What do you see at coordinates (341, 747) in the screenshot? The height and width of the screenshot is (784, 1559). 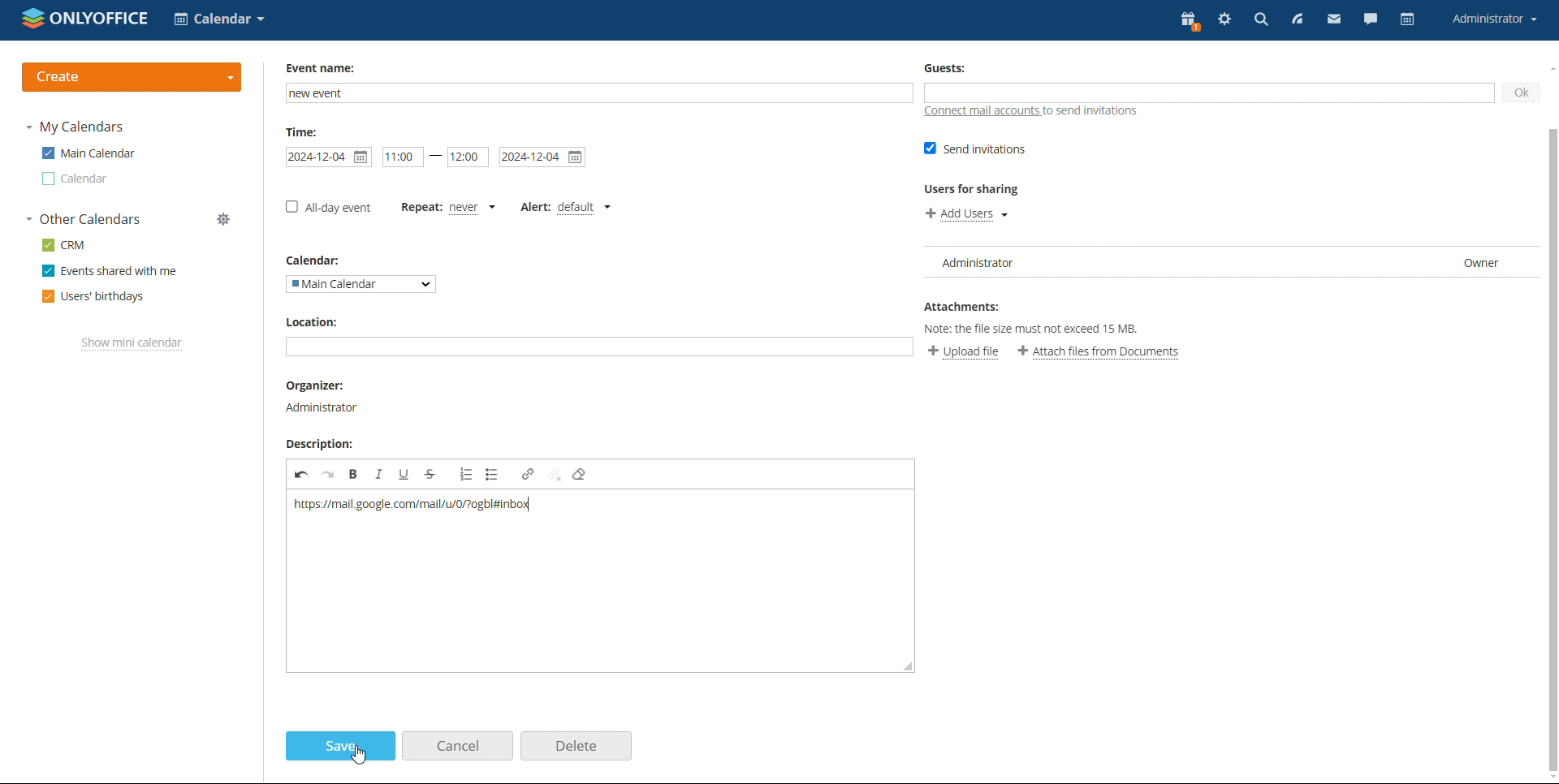 I see `save` at bounding box center [341, 747].